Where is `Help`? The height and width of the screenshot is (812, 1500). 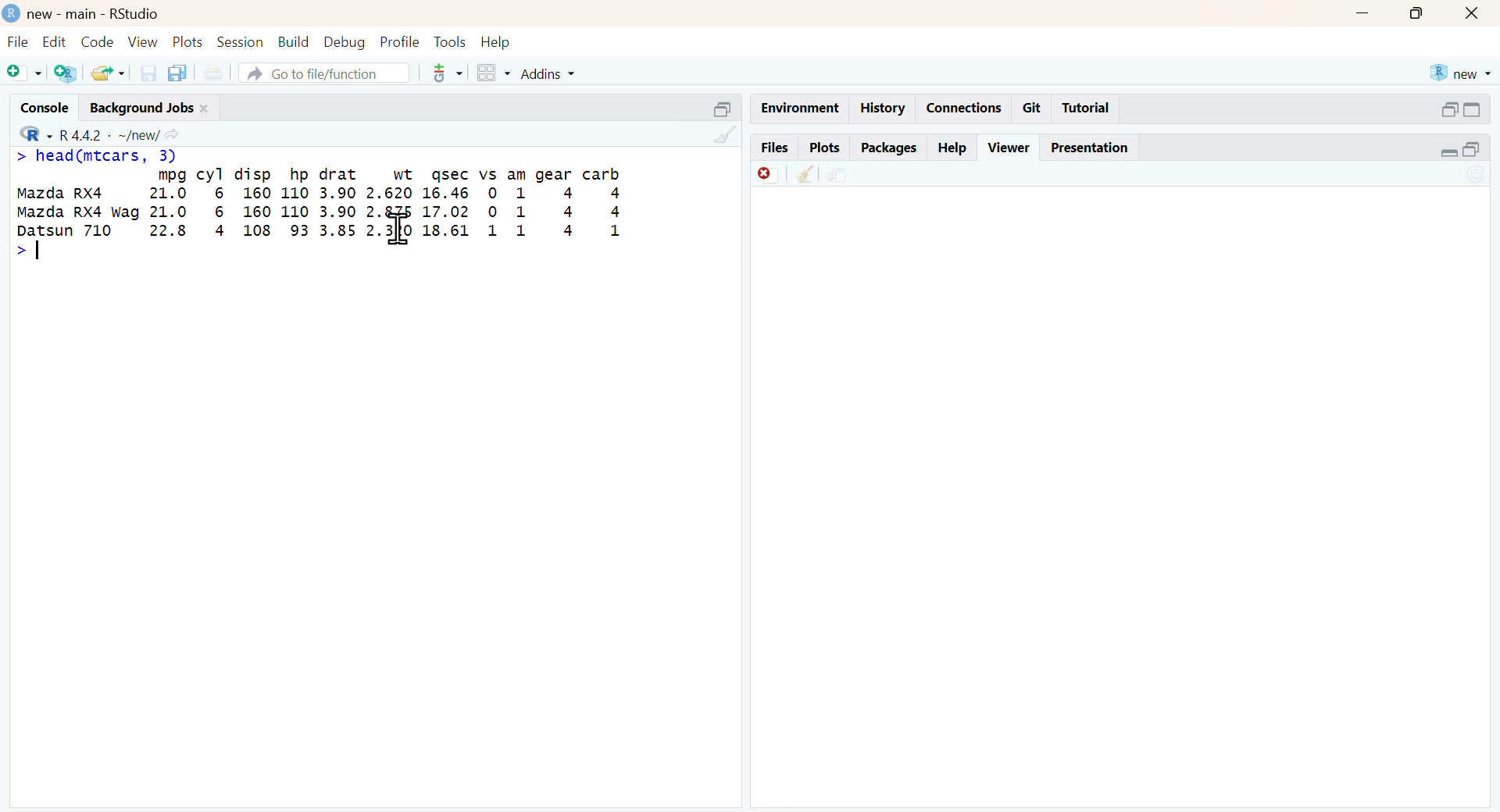 Help is located at coordinates (953, 147).